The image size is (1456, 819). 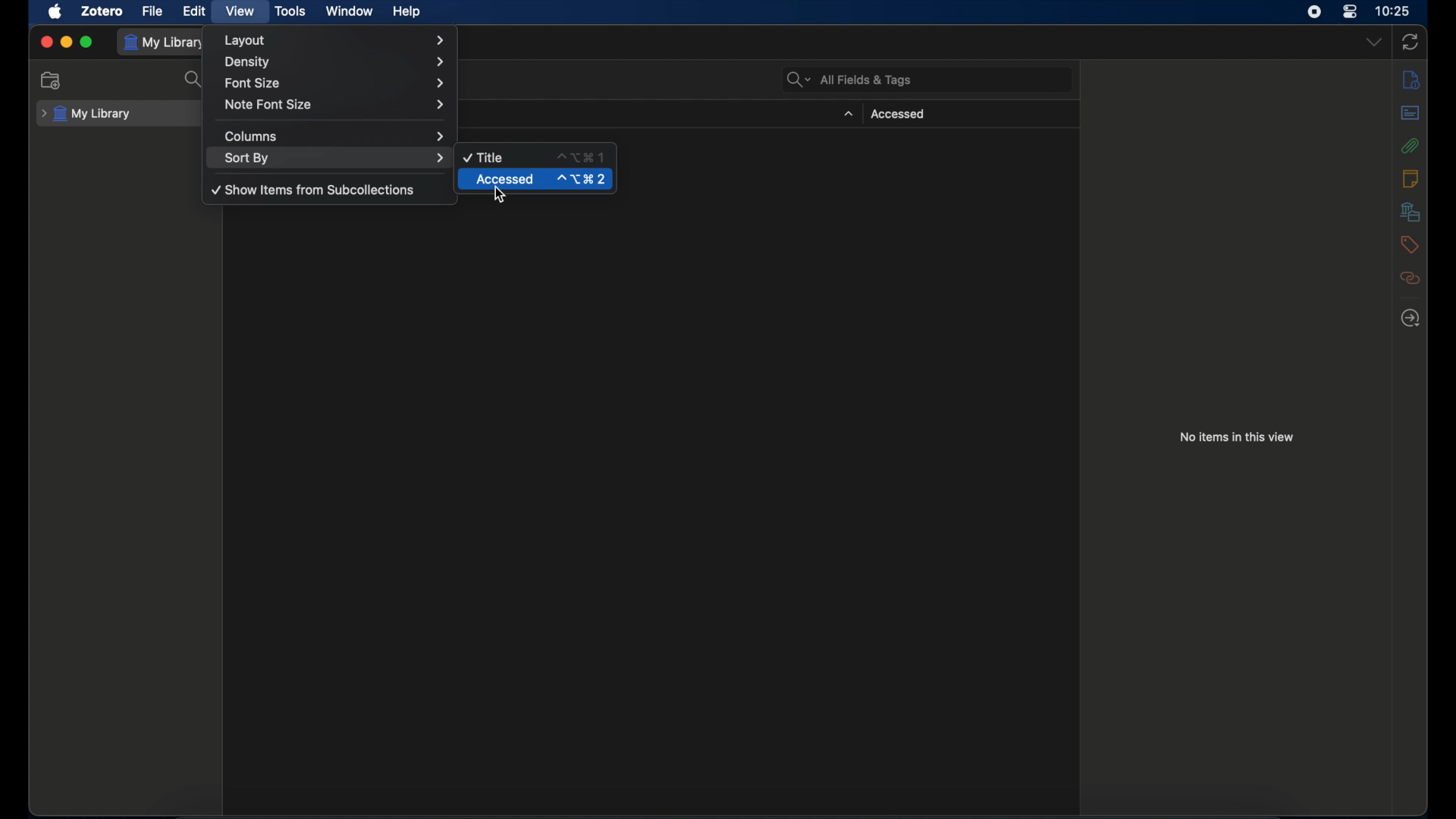 What do you see at coordinates (1411, 318) in the screenshot?
I see `locate` at bounding box center [1411, 318].